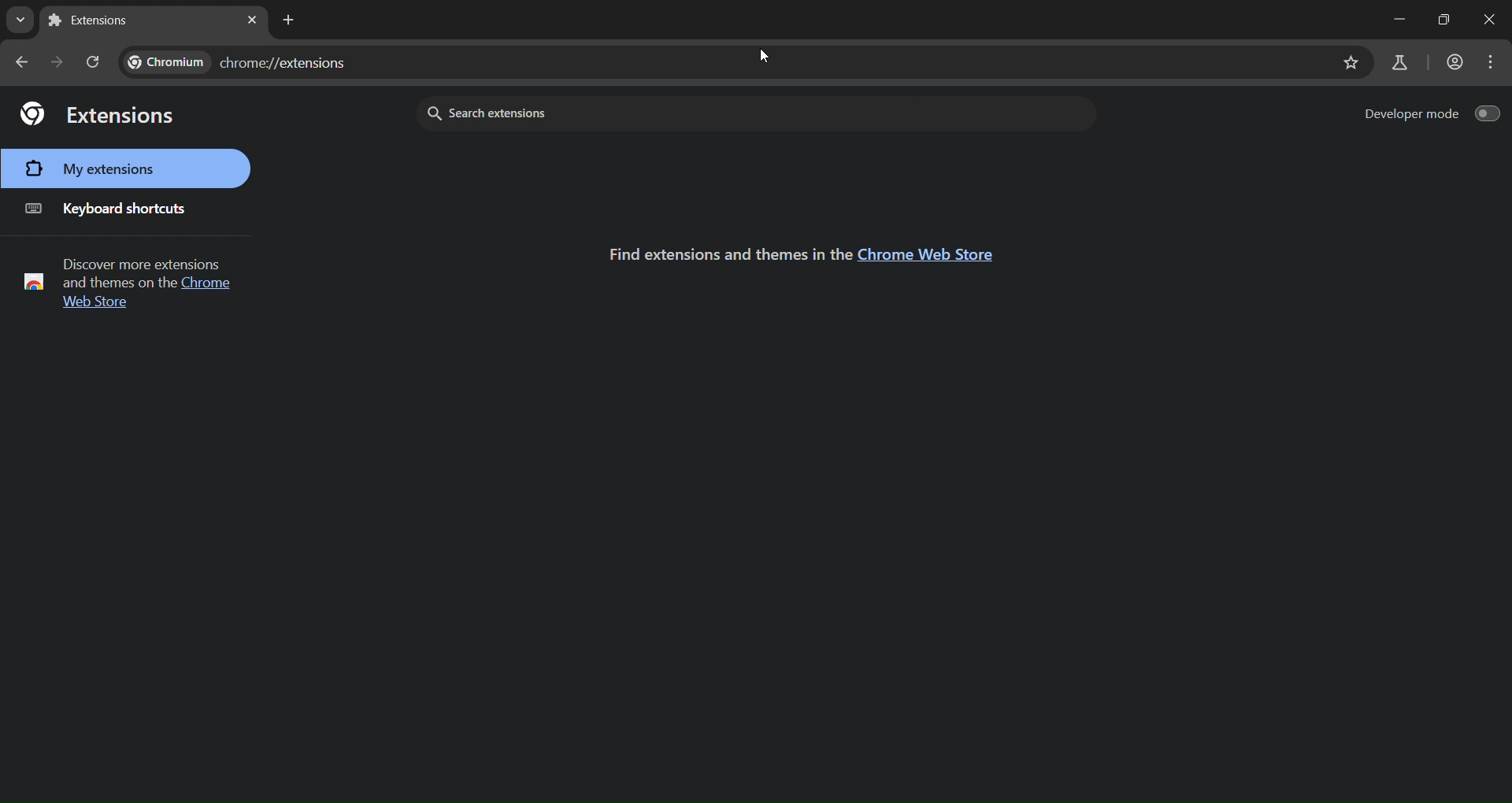 Image resolution: width=1512 pixels, height=803 pixels. Describe the element at coordinates (290, 21) in the screenshot. I see `new tab` at that location.